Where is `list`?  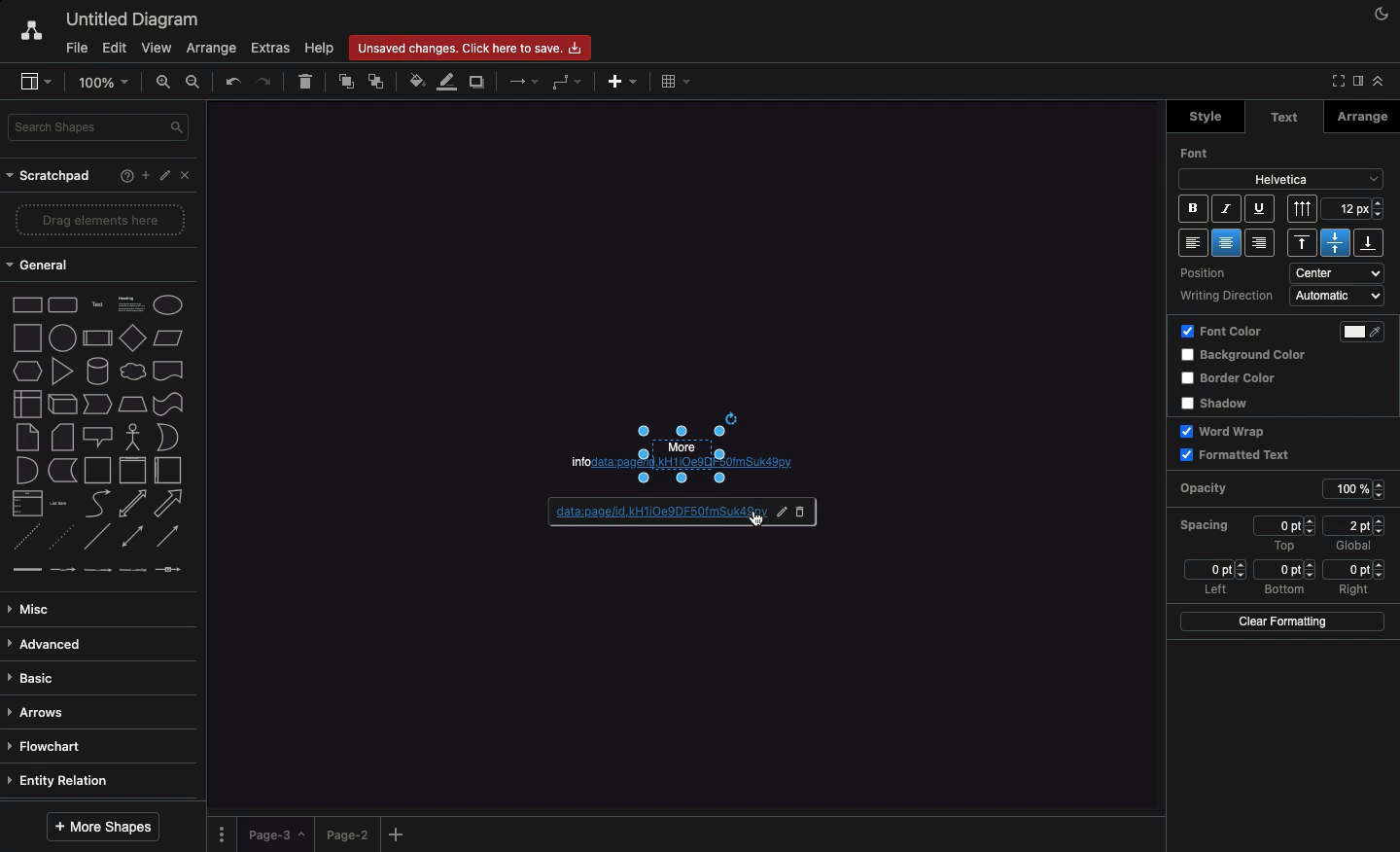
list is located at coordinates (28, 503).